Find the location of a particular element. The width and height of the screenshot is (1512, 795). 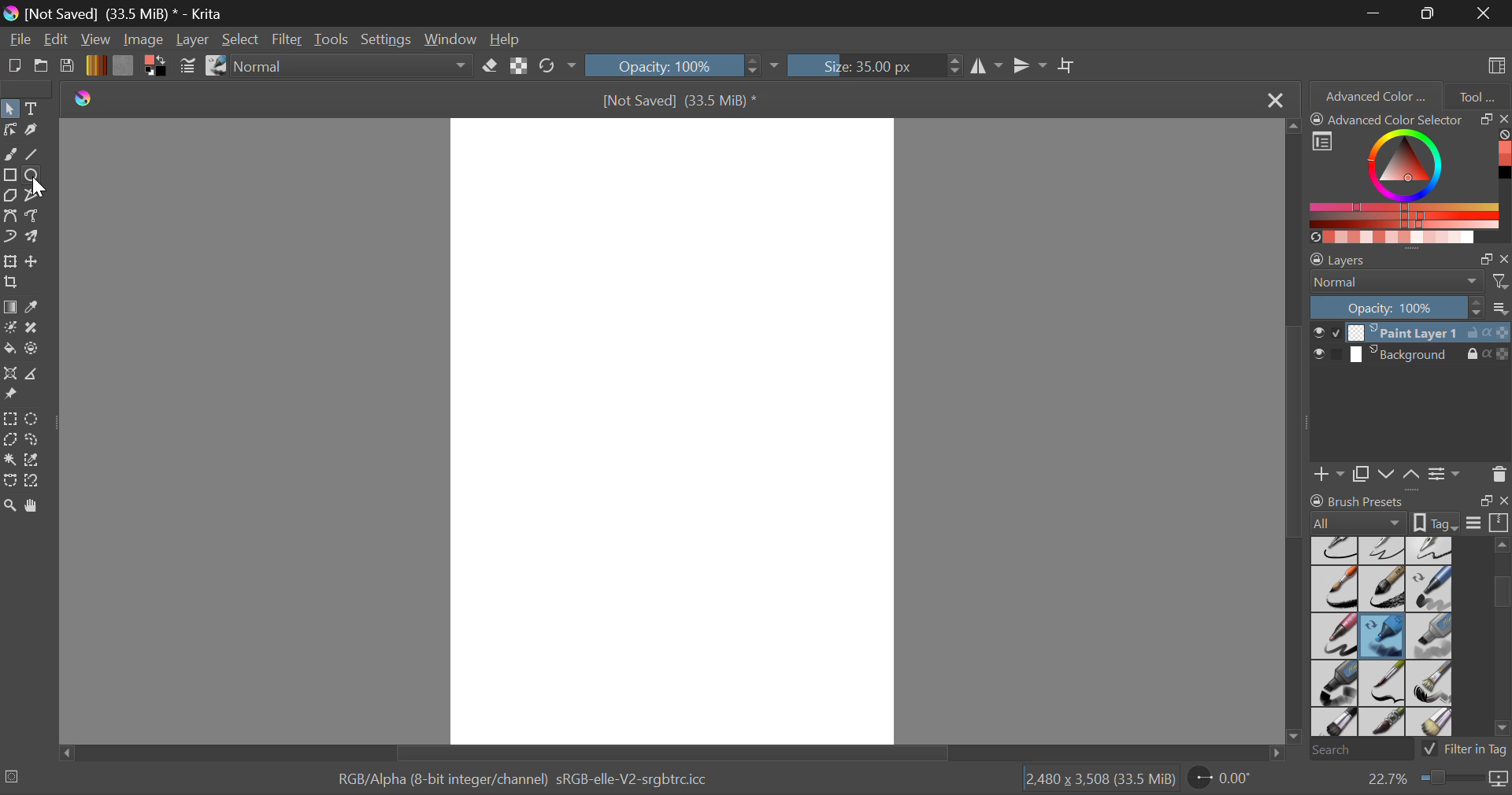

View is located at coordinates (98, 40).